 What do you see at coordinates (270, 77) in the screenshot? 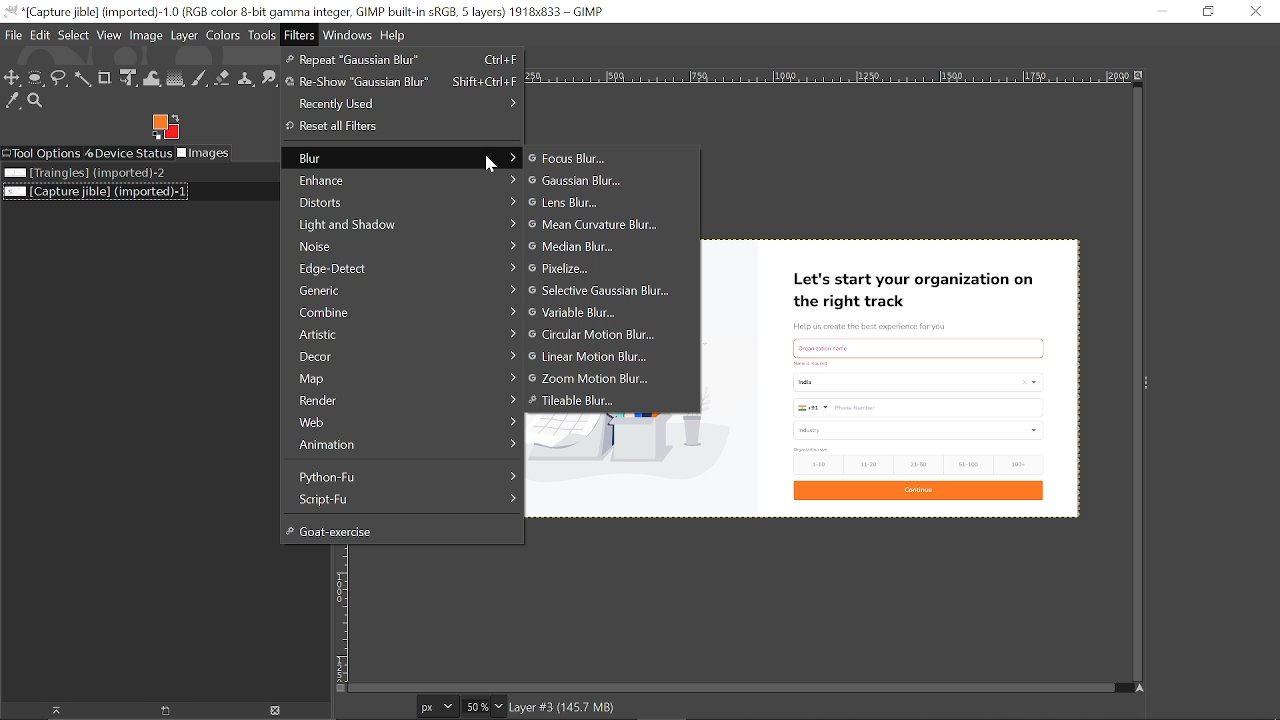
I see `Smudge tool` at bounding box center [270, 77].